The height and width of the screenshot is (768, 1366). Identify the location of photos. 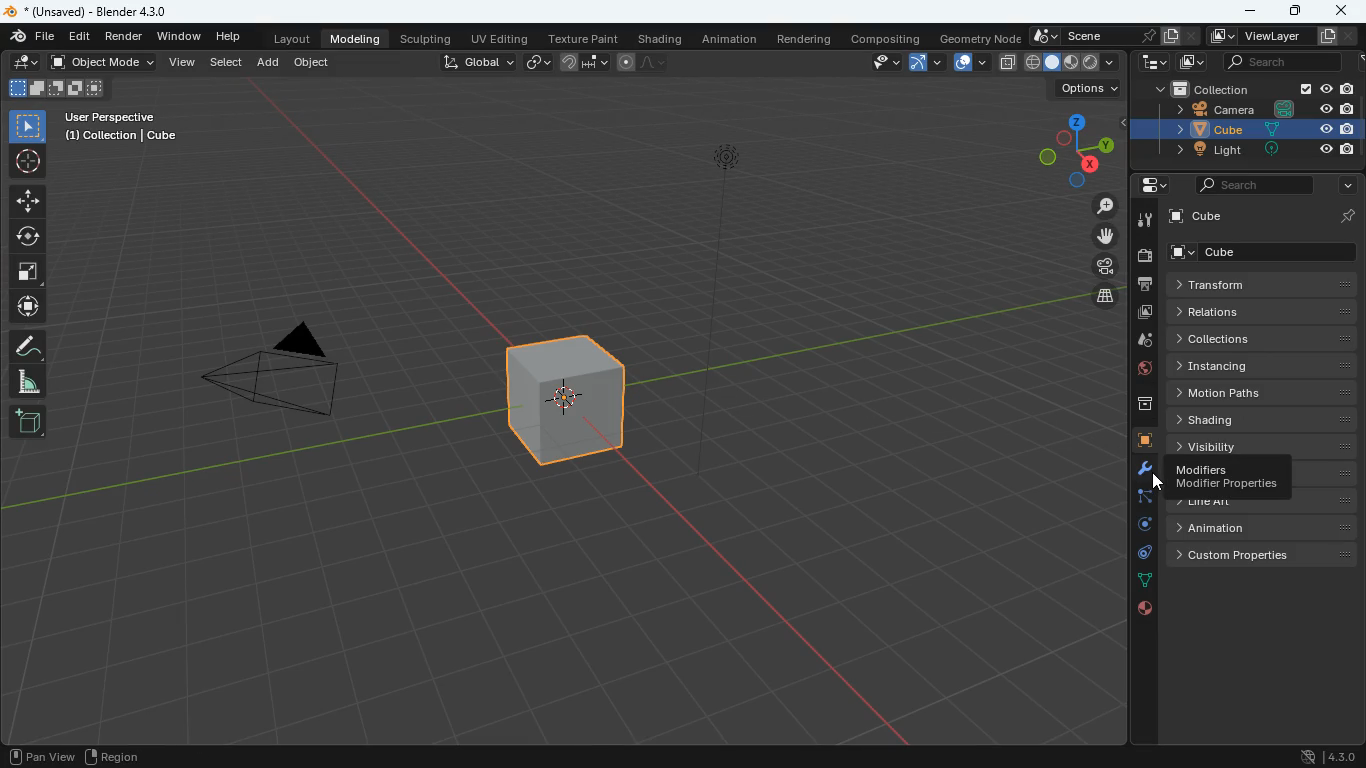
(1142, 314).